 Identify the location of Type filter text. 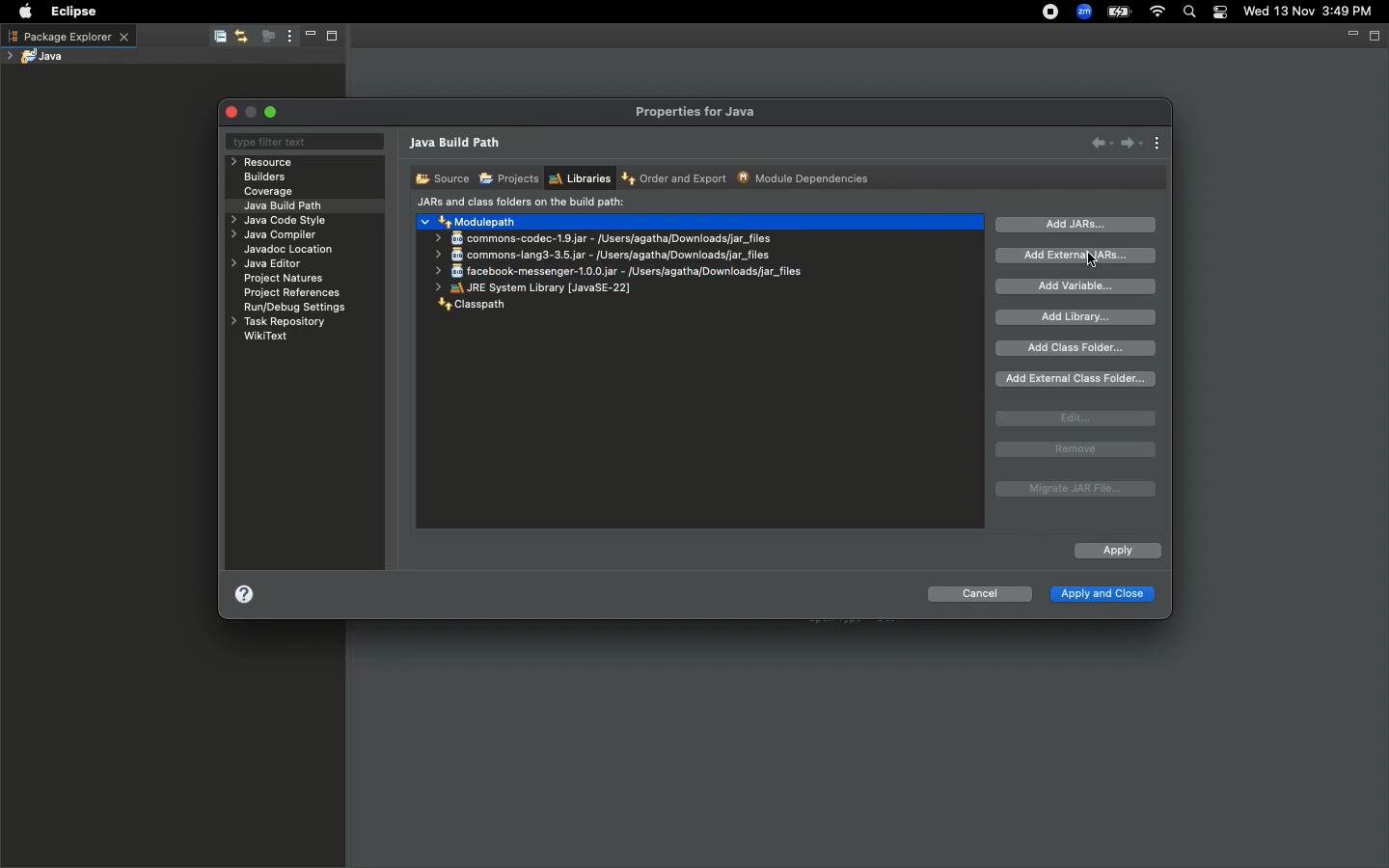
(303, 143).